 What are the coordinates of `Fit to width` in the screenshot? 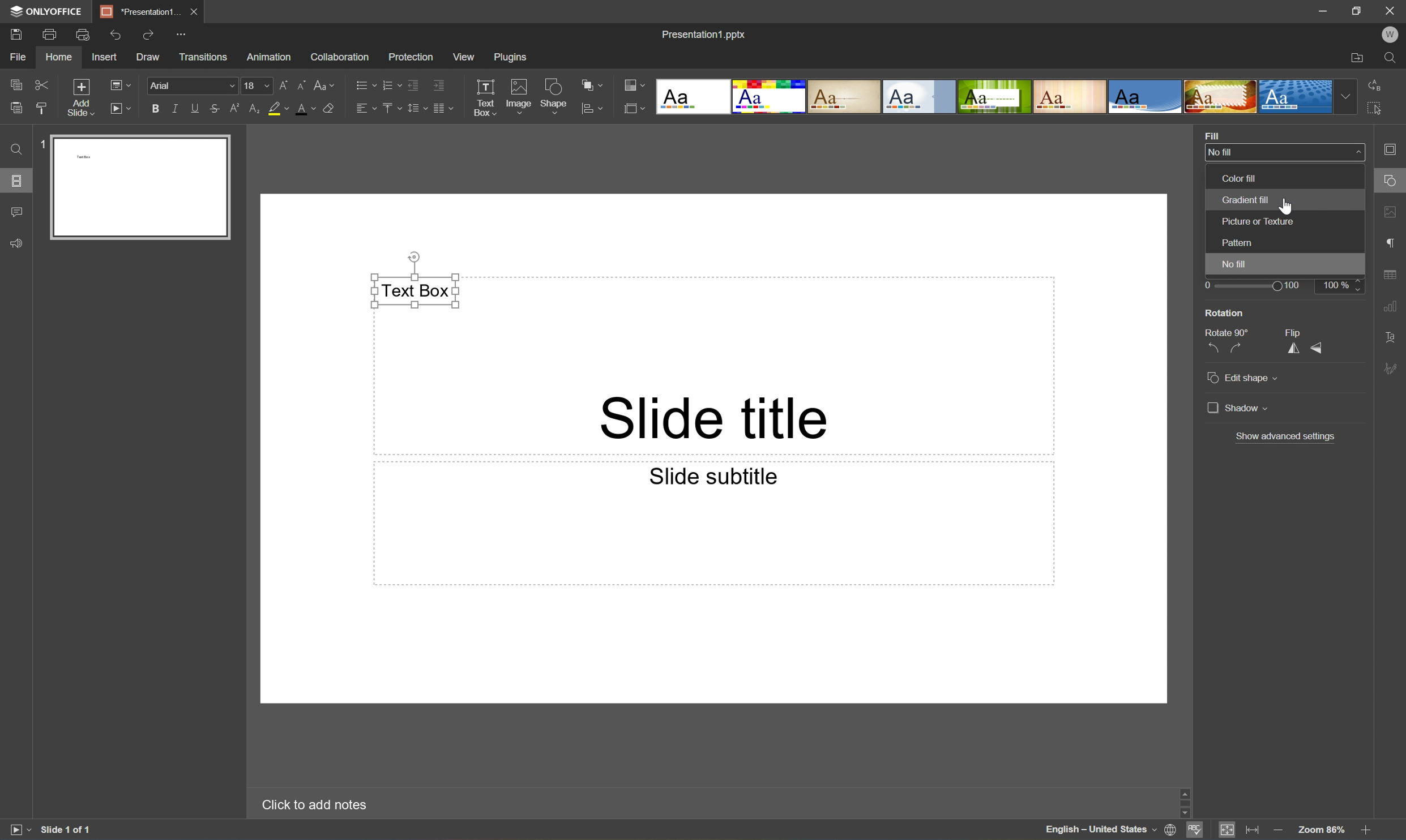 It's located at (1253, 829).